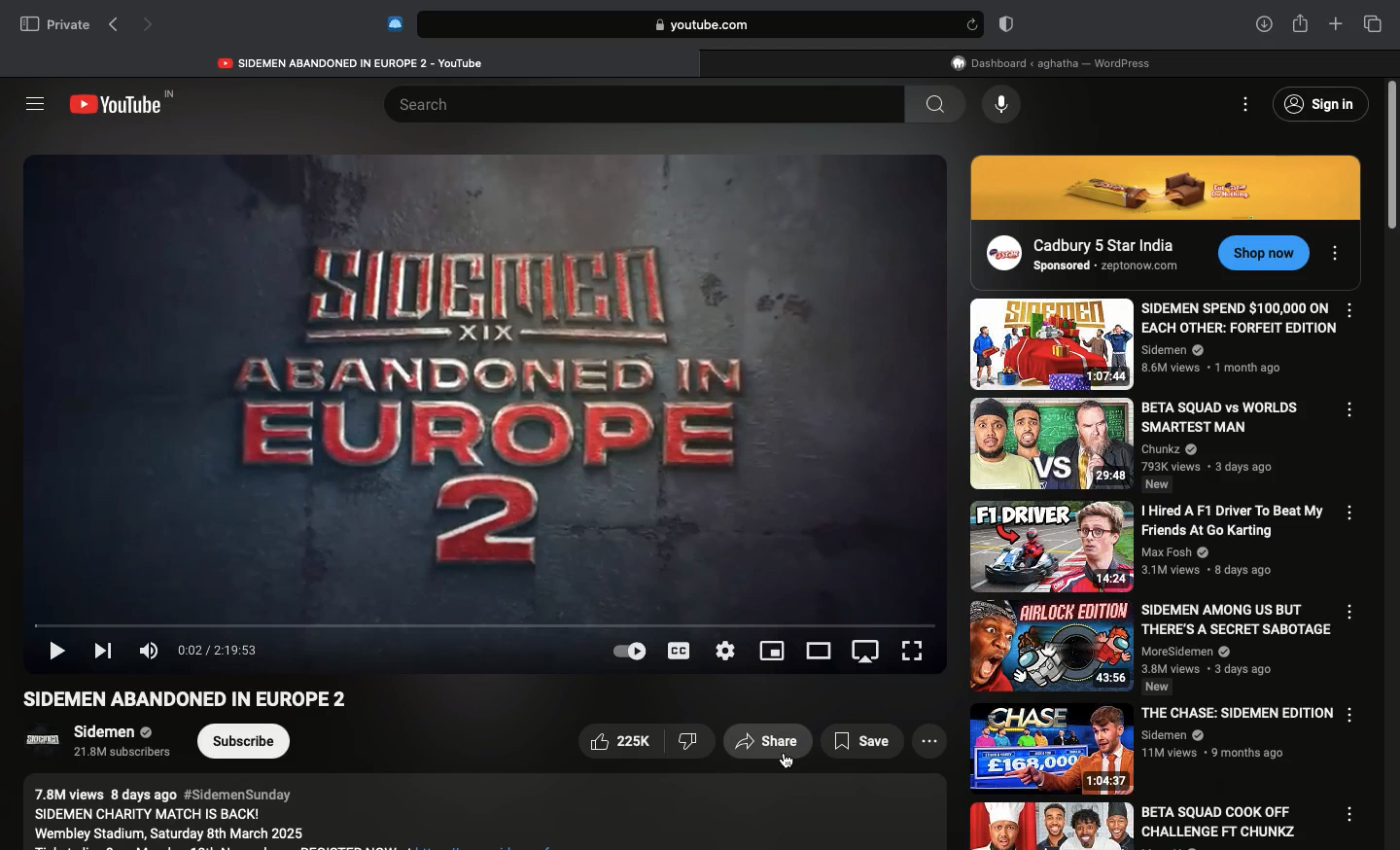 This screenshot has width=1400, height=850. I want to click on Downlaods, so click(1261, 25).